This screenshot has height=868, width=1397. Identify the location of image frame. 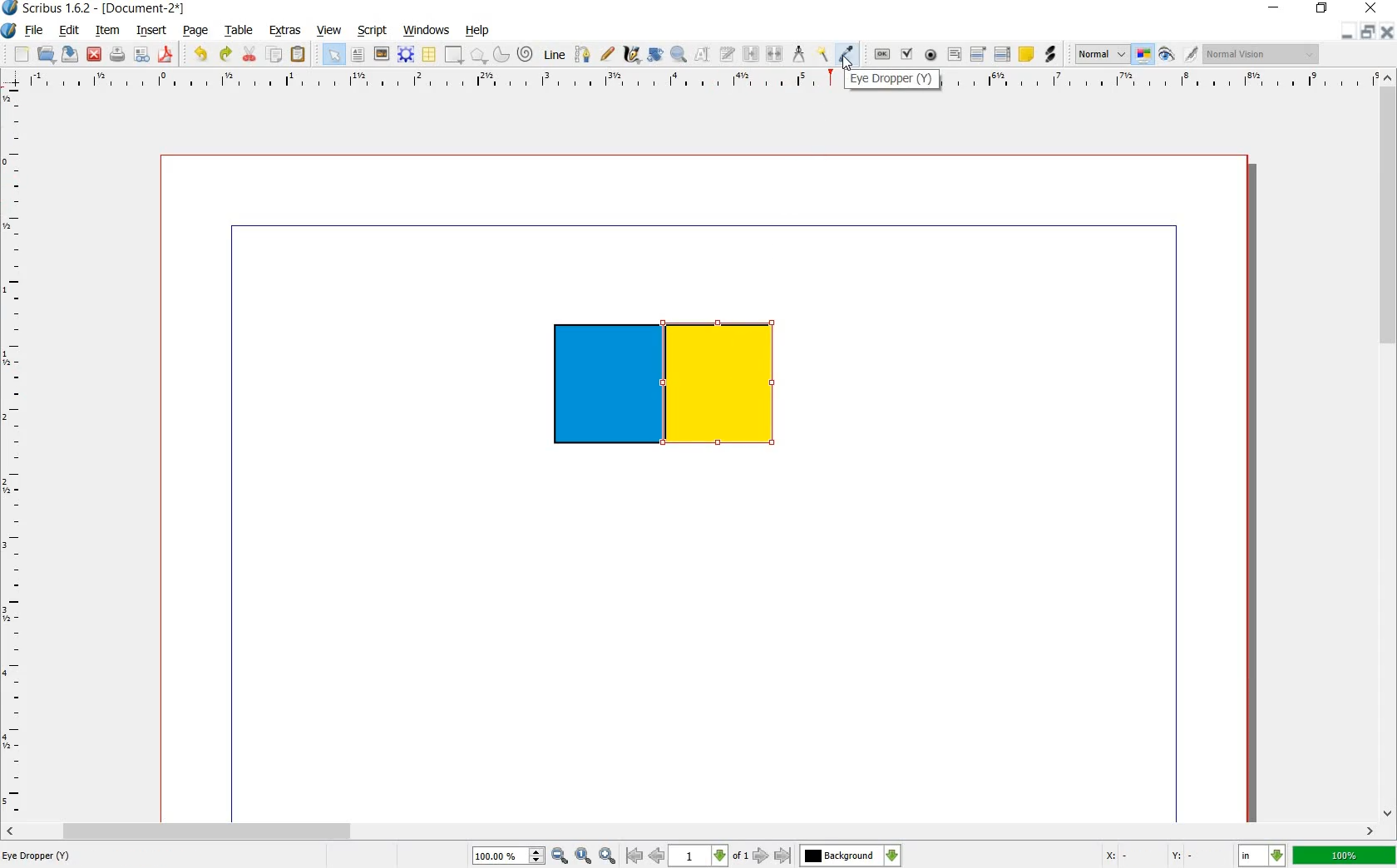
(381, 55).